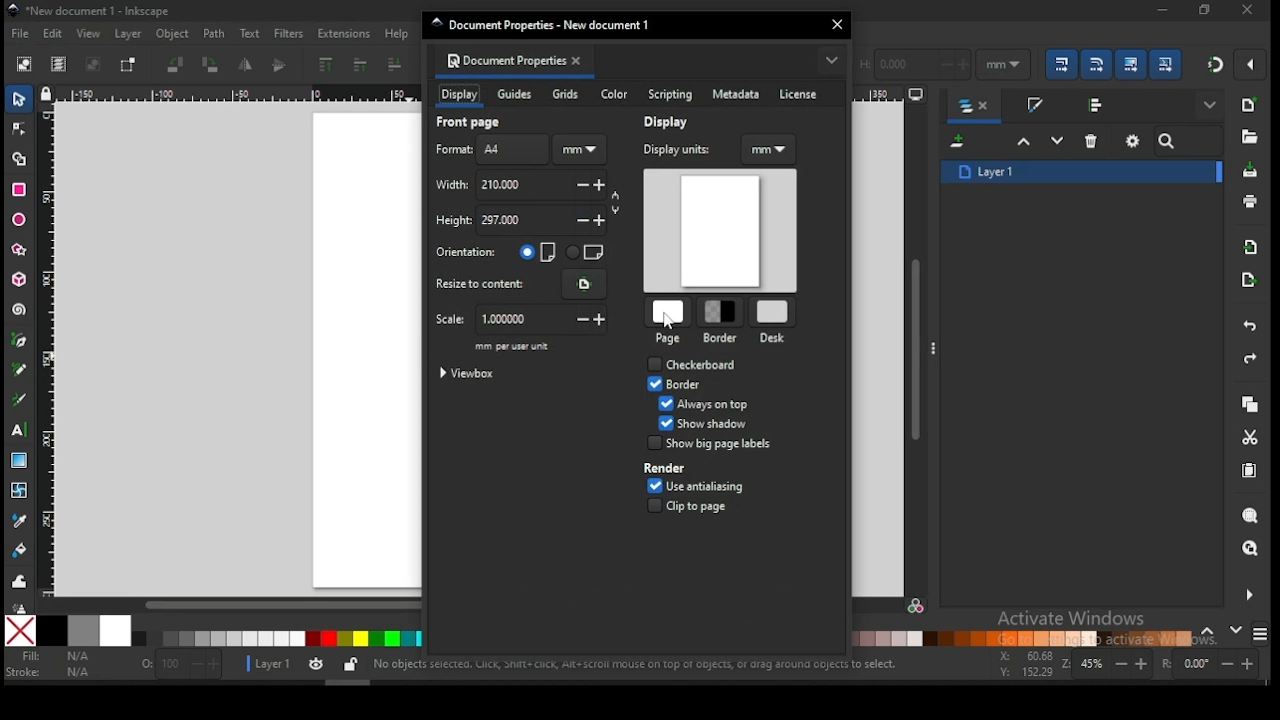 The image size is (1280, 720). I want to click on checkbox: checkboard, so click(696, 365).